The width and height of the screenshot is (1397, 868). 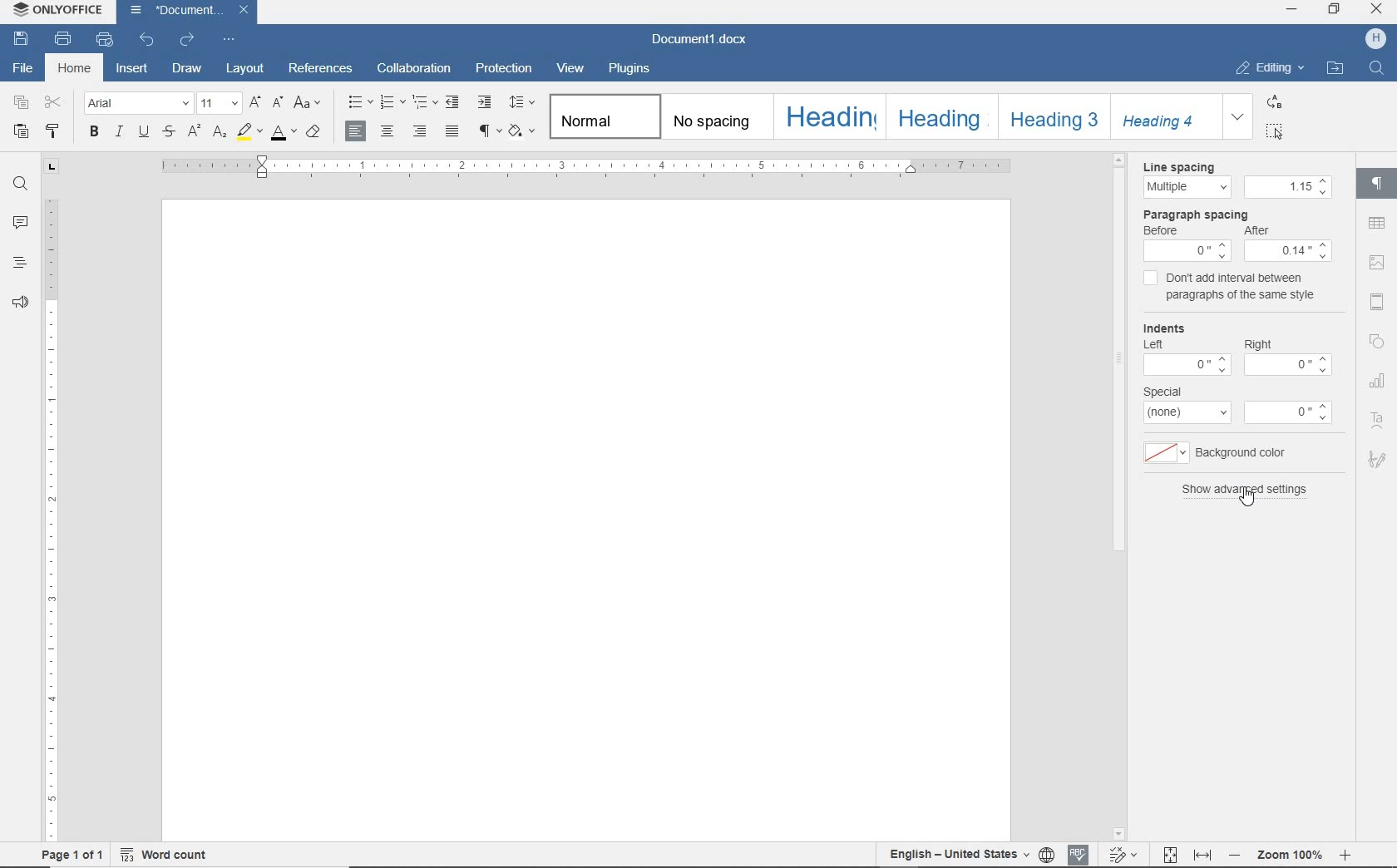 I want to click on heading2, so click(x=939, y=119).